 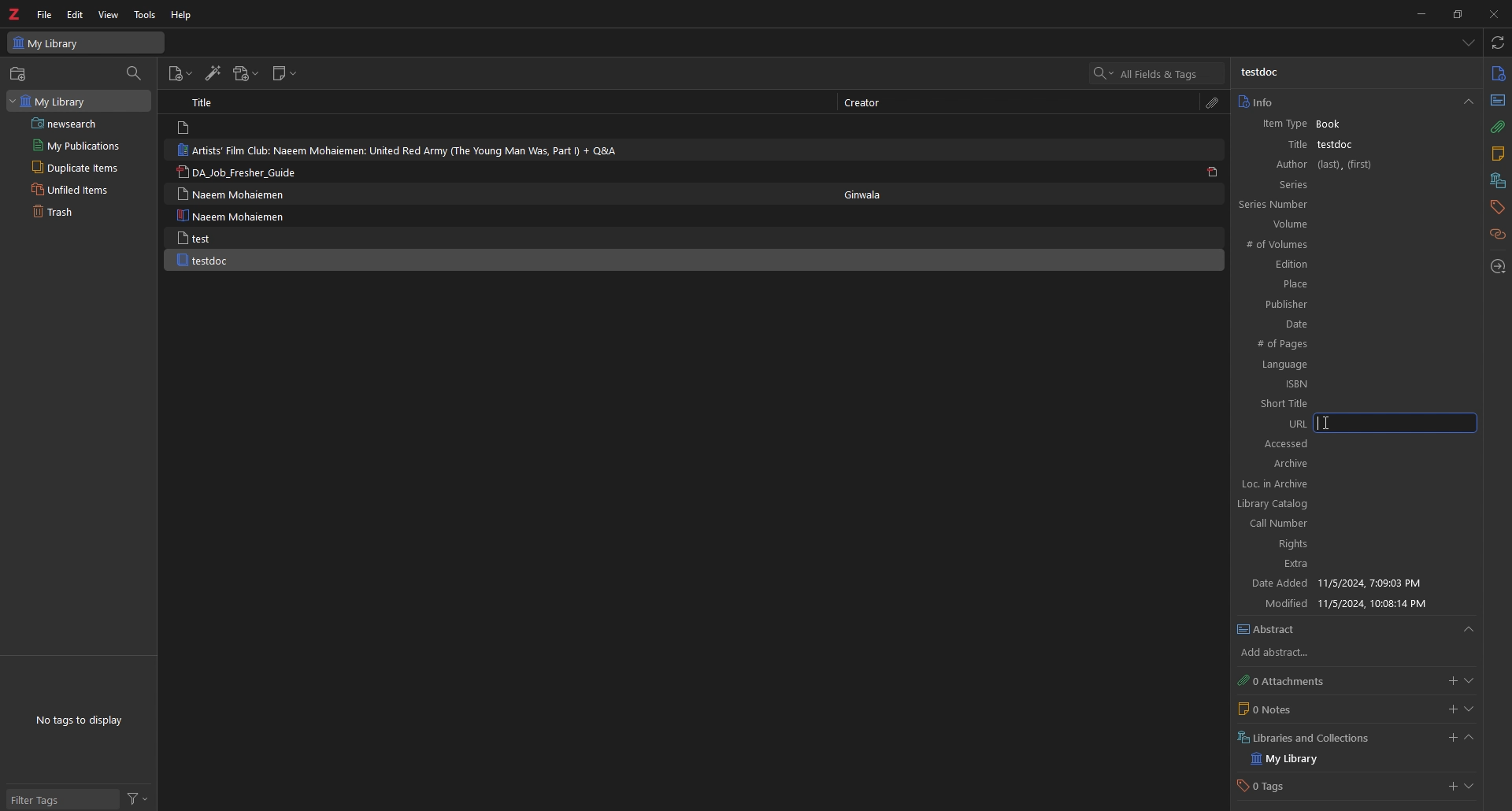 What do you see at coordinates (1161, 72) in the screenshot?
I see `search` at bounding box center [1161, 72].